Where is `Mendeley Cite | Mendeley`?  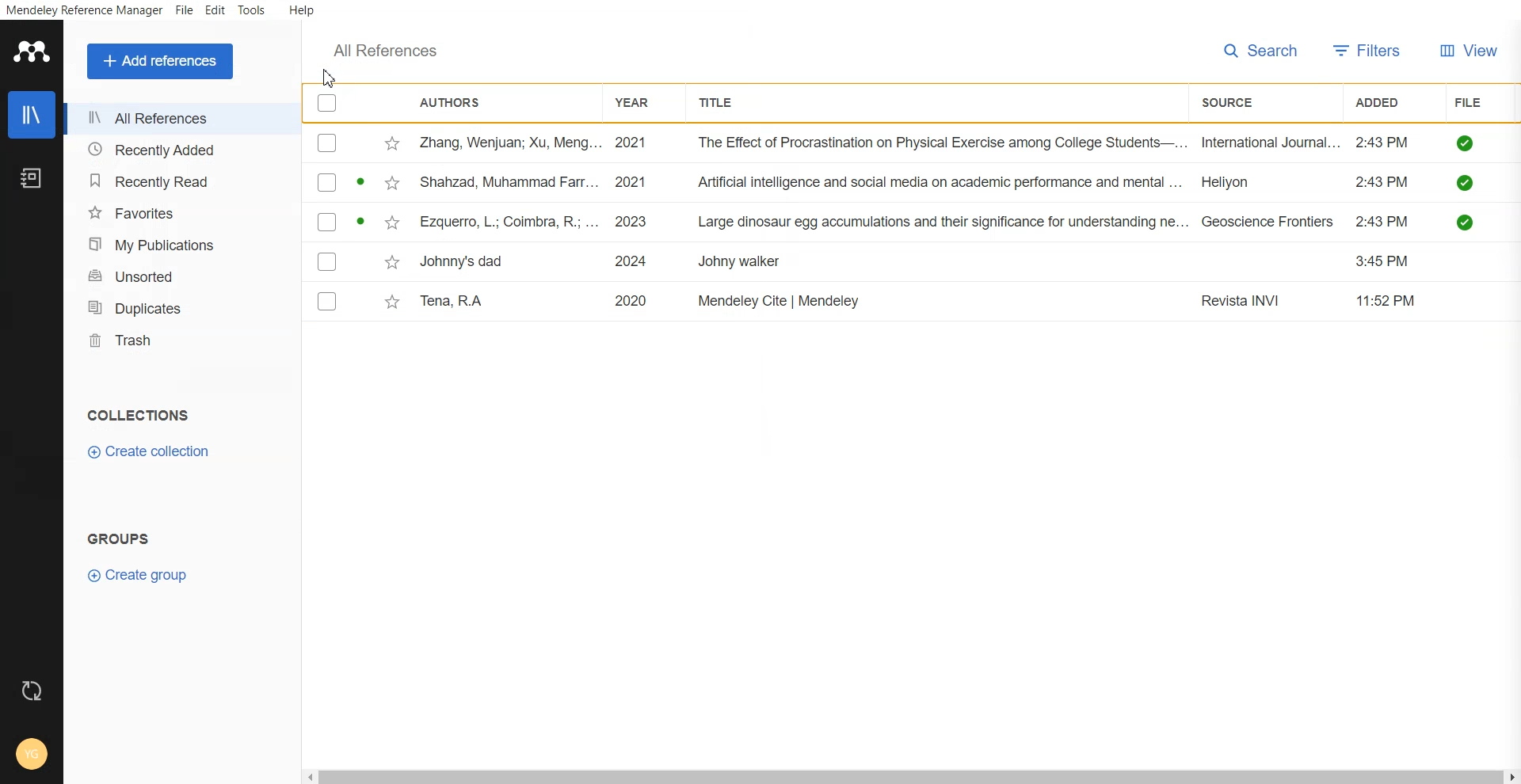 Mendeley Cite | Mendeley is located at coordinates (781, 300).